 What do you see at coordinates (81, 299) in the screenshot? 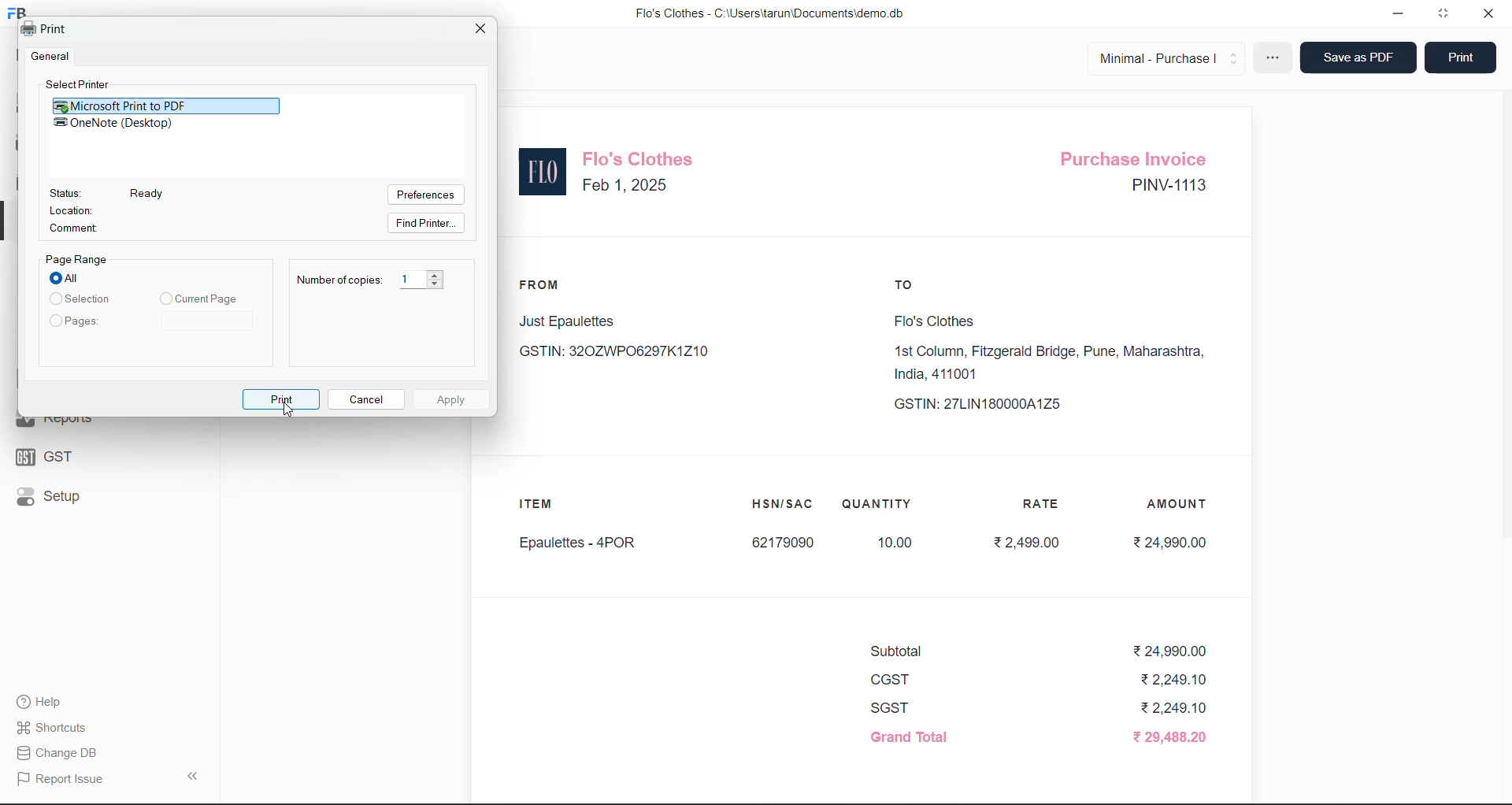
I see ` Selection` at bounding box center [81, 299].